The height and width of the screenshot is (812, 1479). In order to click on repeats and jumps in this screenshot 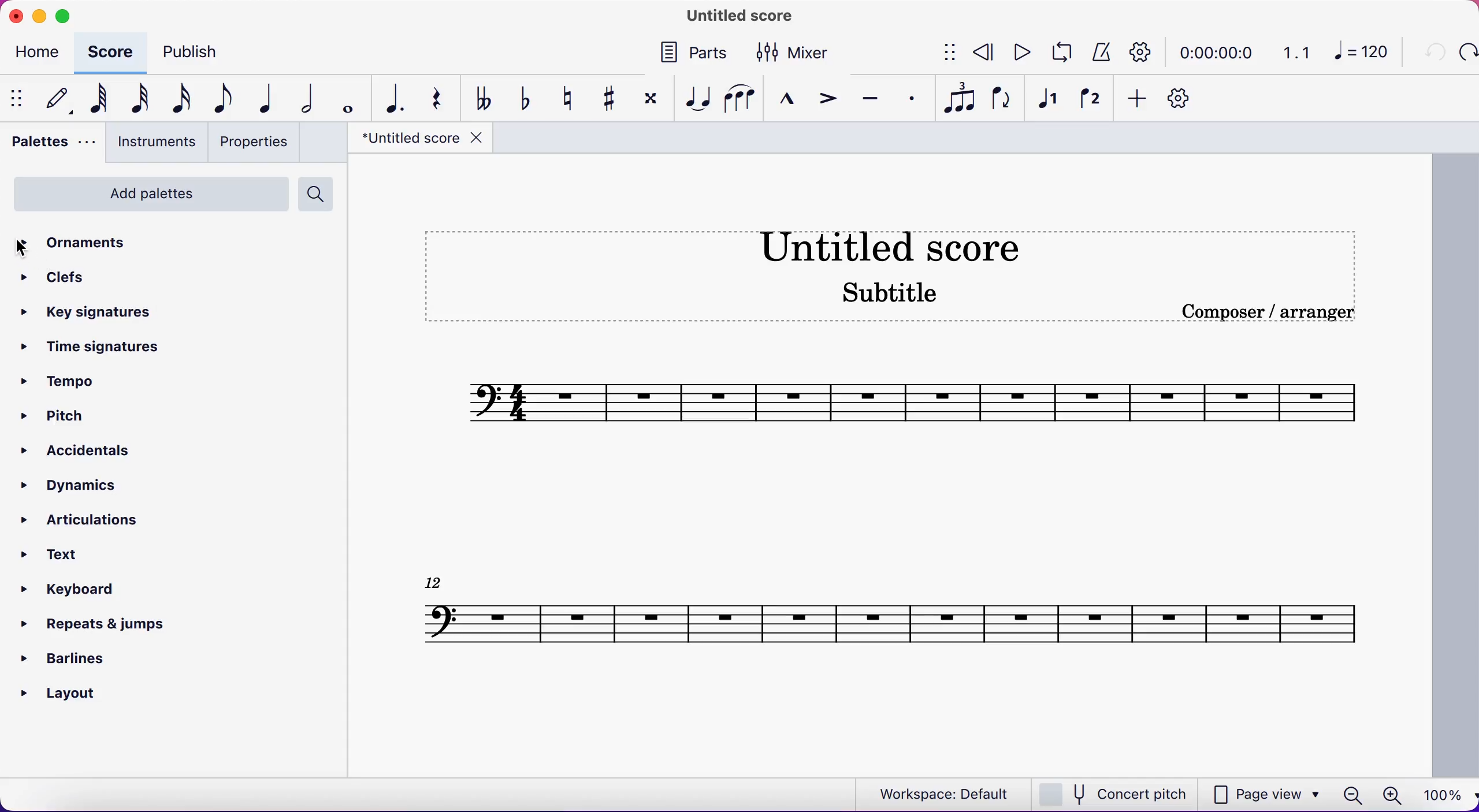, I will do `click(96, 624)`.